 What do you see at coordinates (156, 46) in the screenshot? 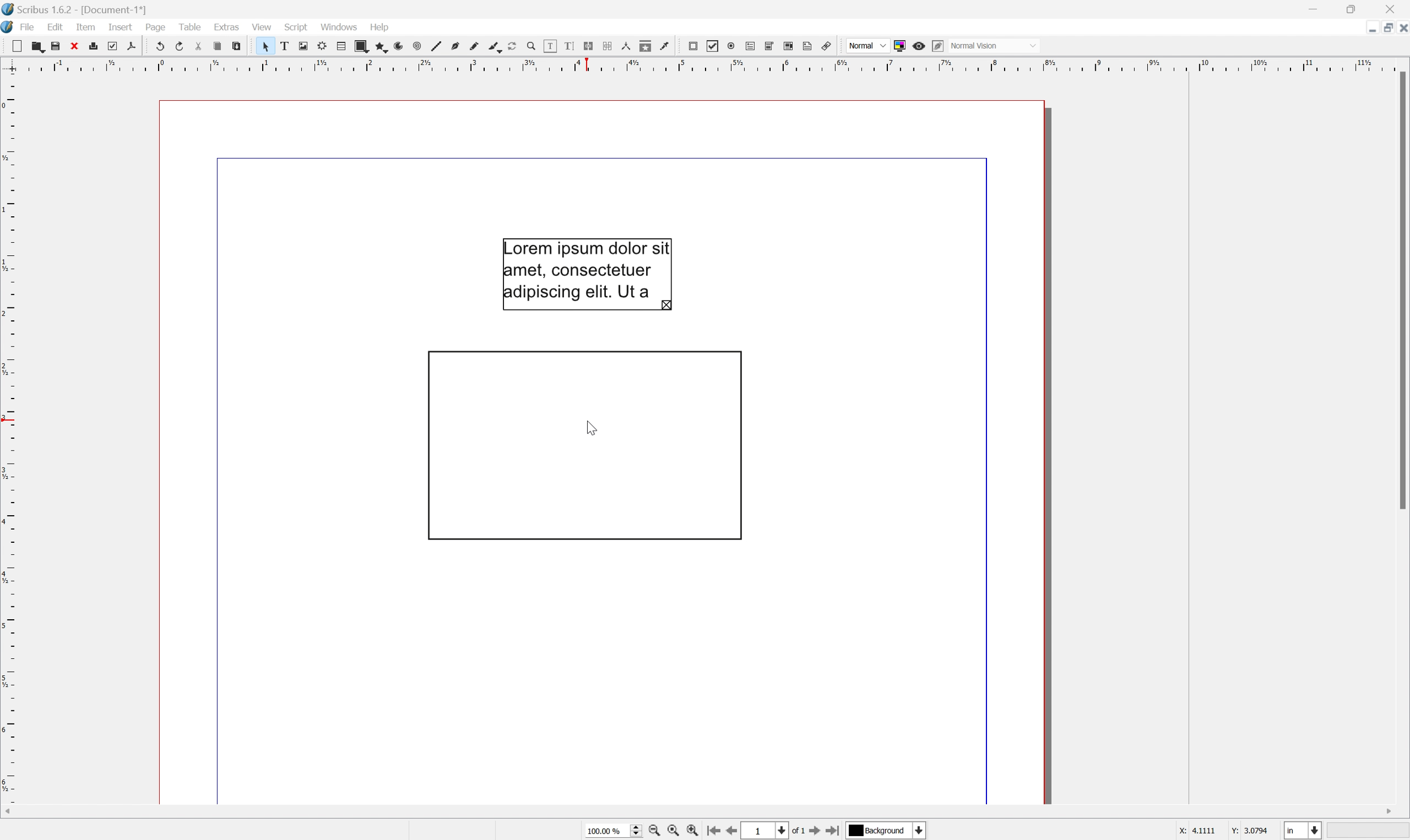
I see `Undo` at bounding box center [156, 46].